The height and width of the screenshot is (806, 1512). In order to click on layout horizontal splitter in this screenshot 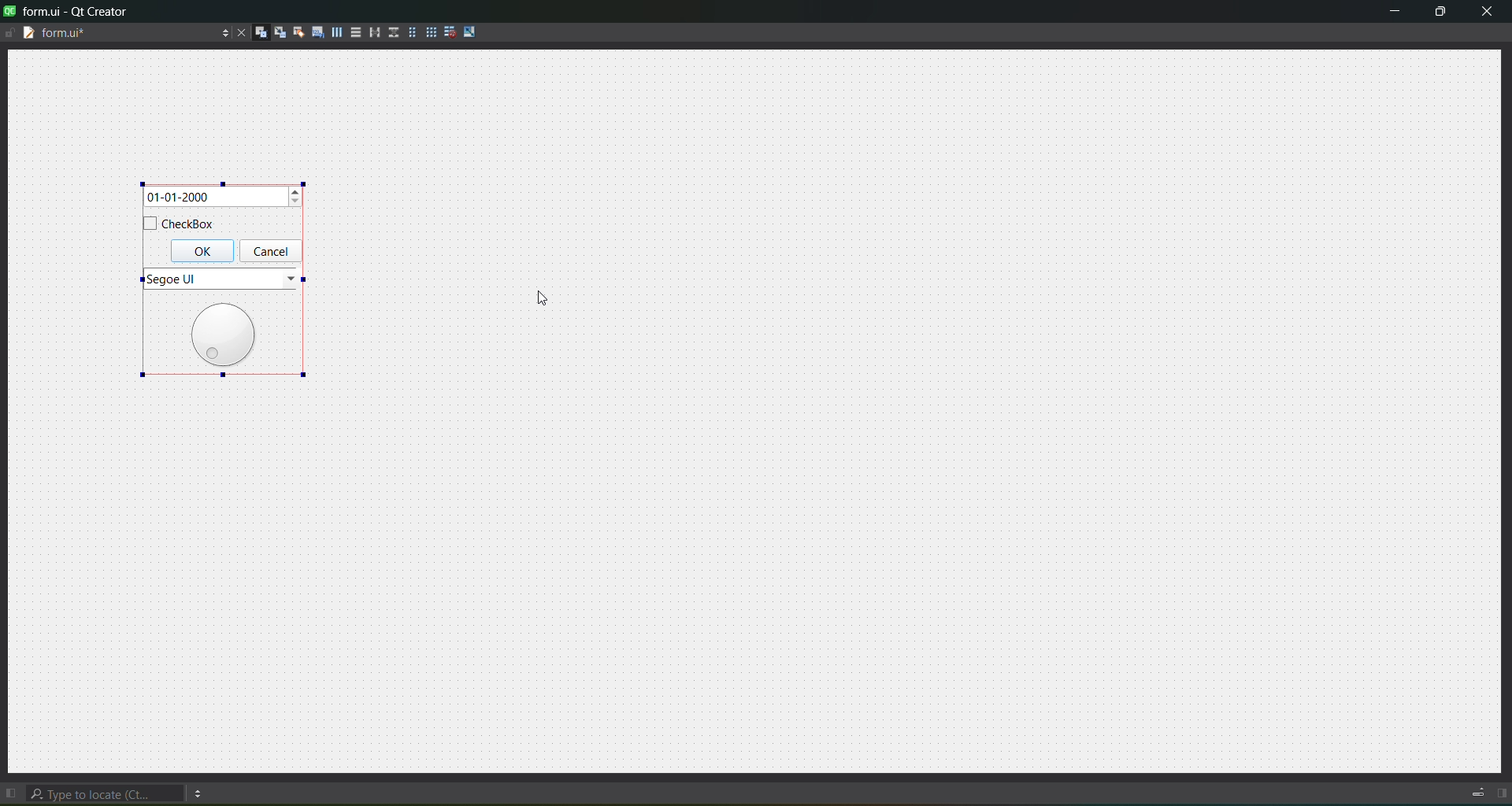, I will do `click(373, 31)`.